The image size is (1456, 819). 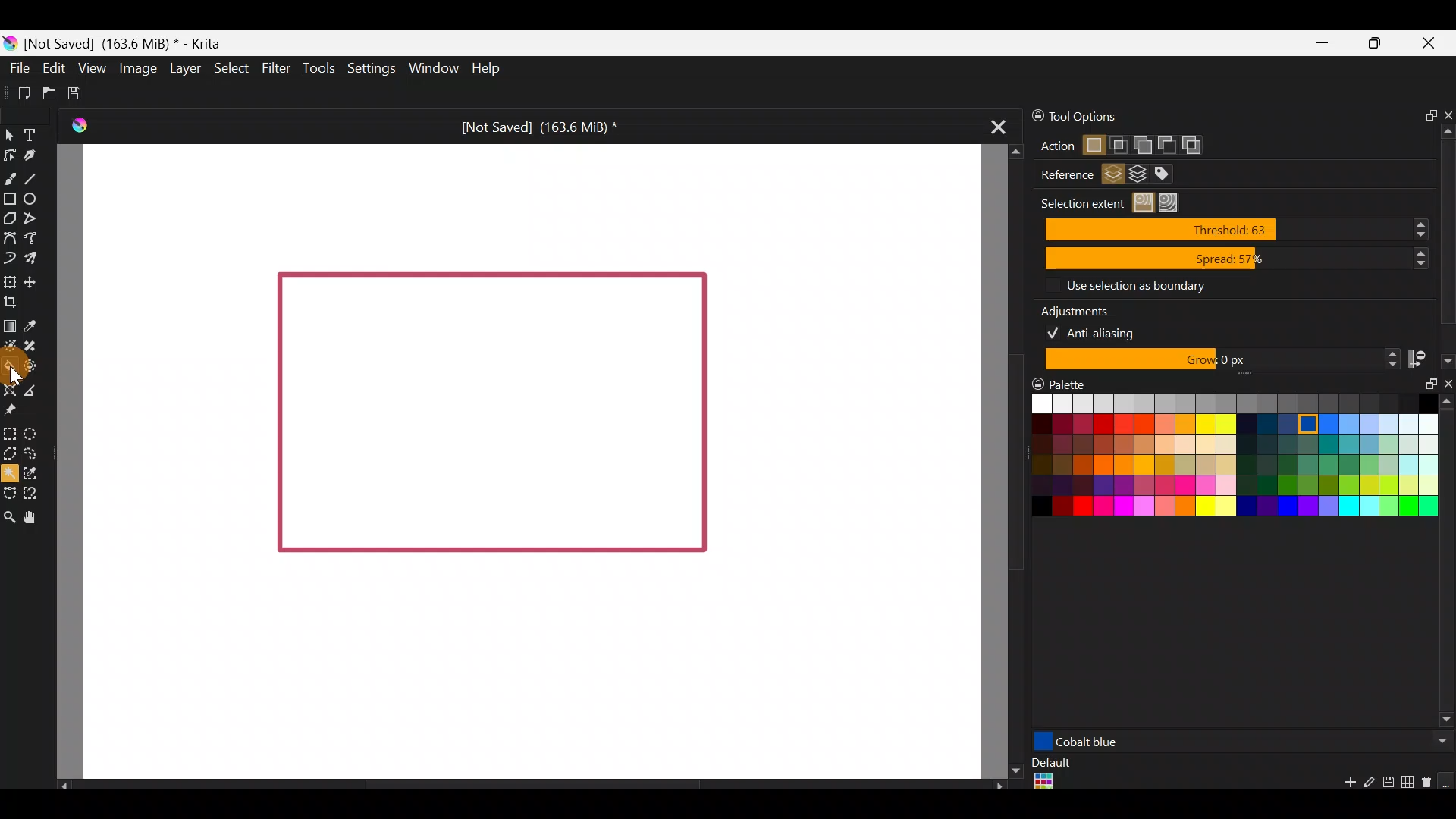 I want to click on Bezier curve tool, so click(x=9, y=236).